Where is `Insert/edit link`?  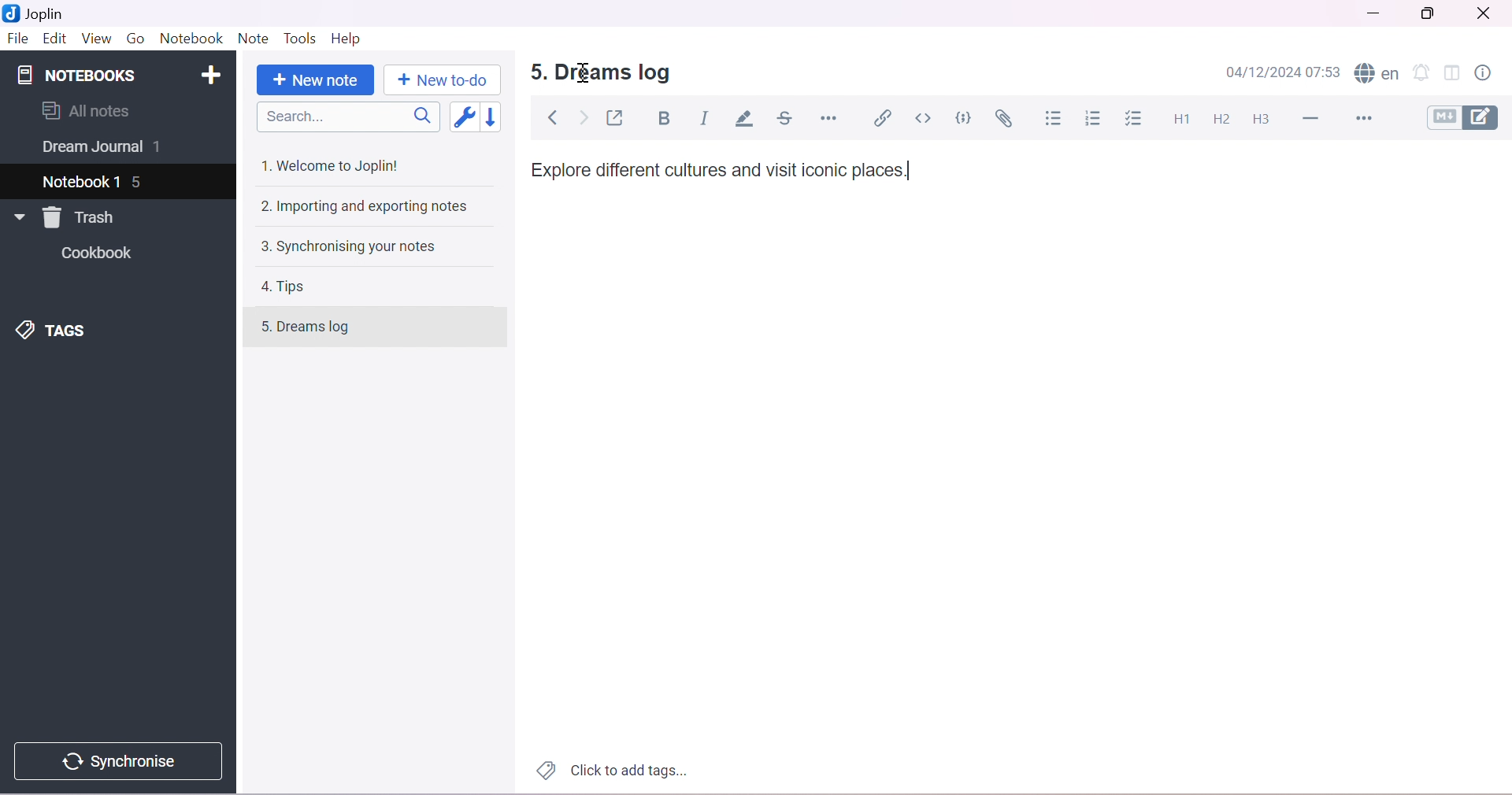 Insert/edit link is located at coordinates (882, 117).